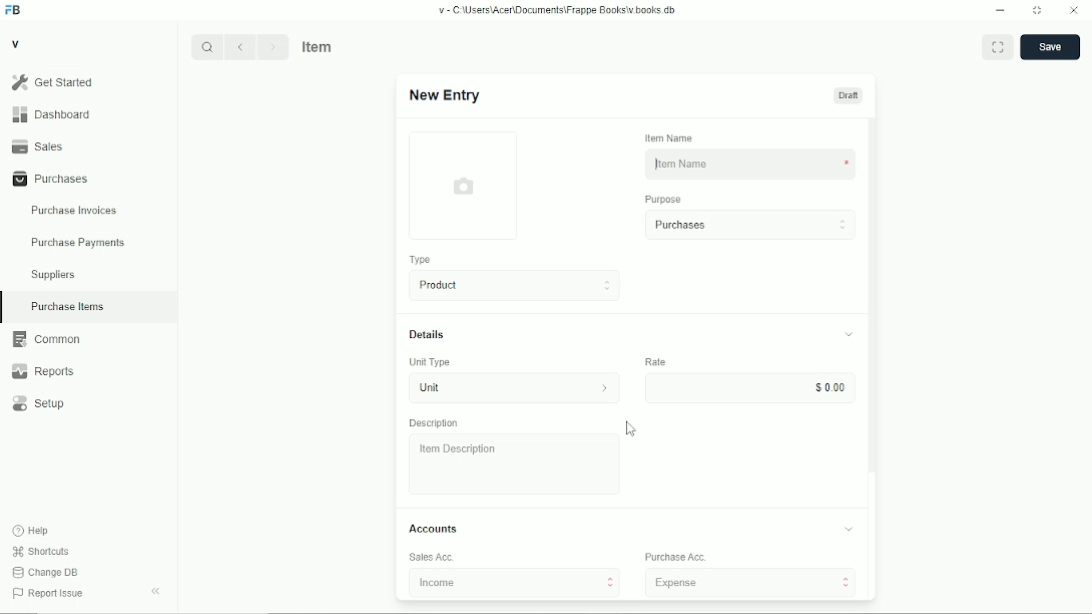  What do you see at coordinates (558, 10) in the screenshot?
I see `v-C:\Users\Acer\Documents\Frappe books\v.books.db` at bounding box center [558, 10].